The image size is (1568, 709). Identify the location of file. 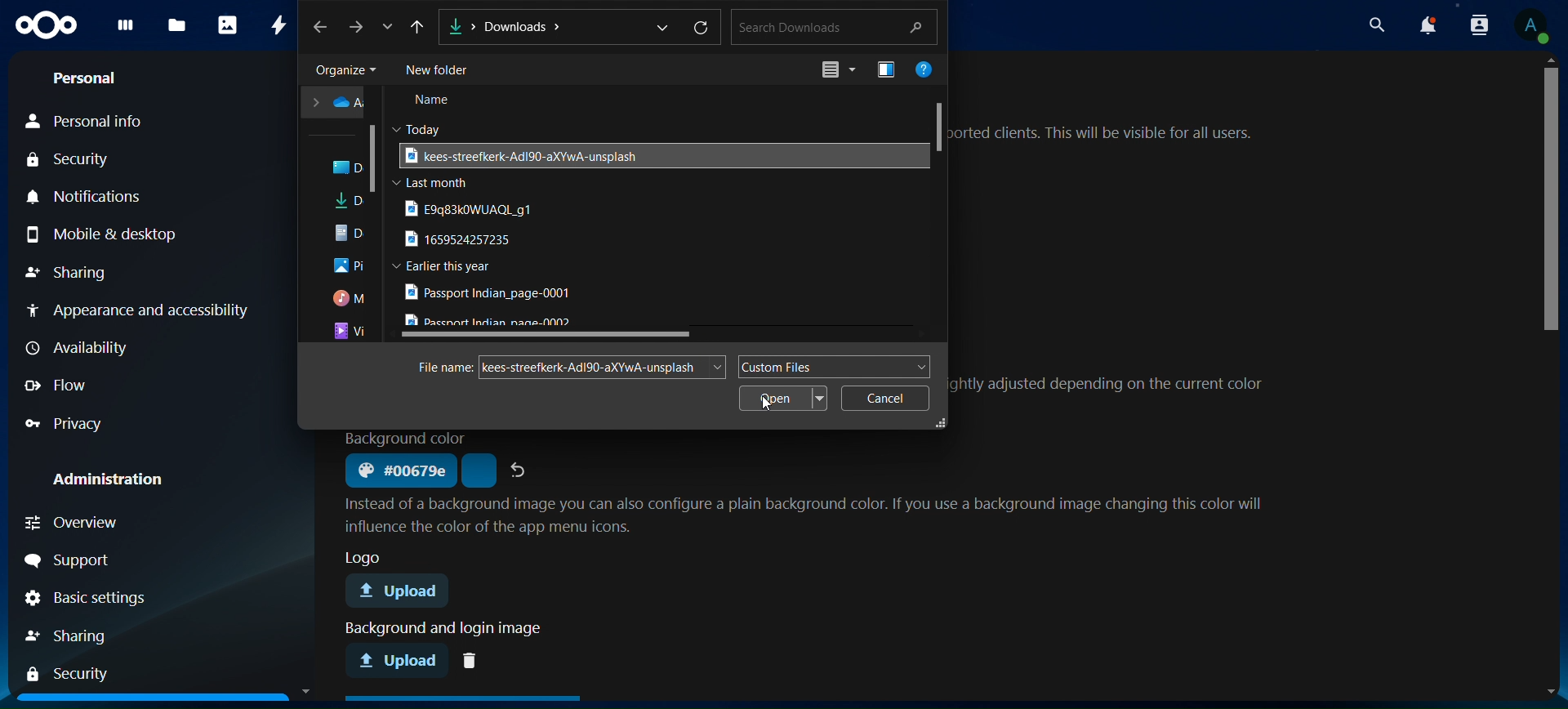
(519, 155).